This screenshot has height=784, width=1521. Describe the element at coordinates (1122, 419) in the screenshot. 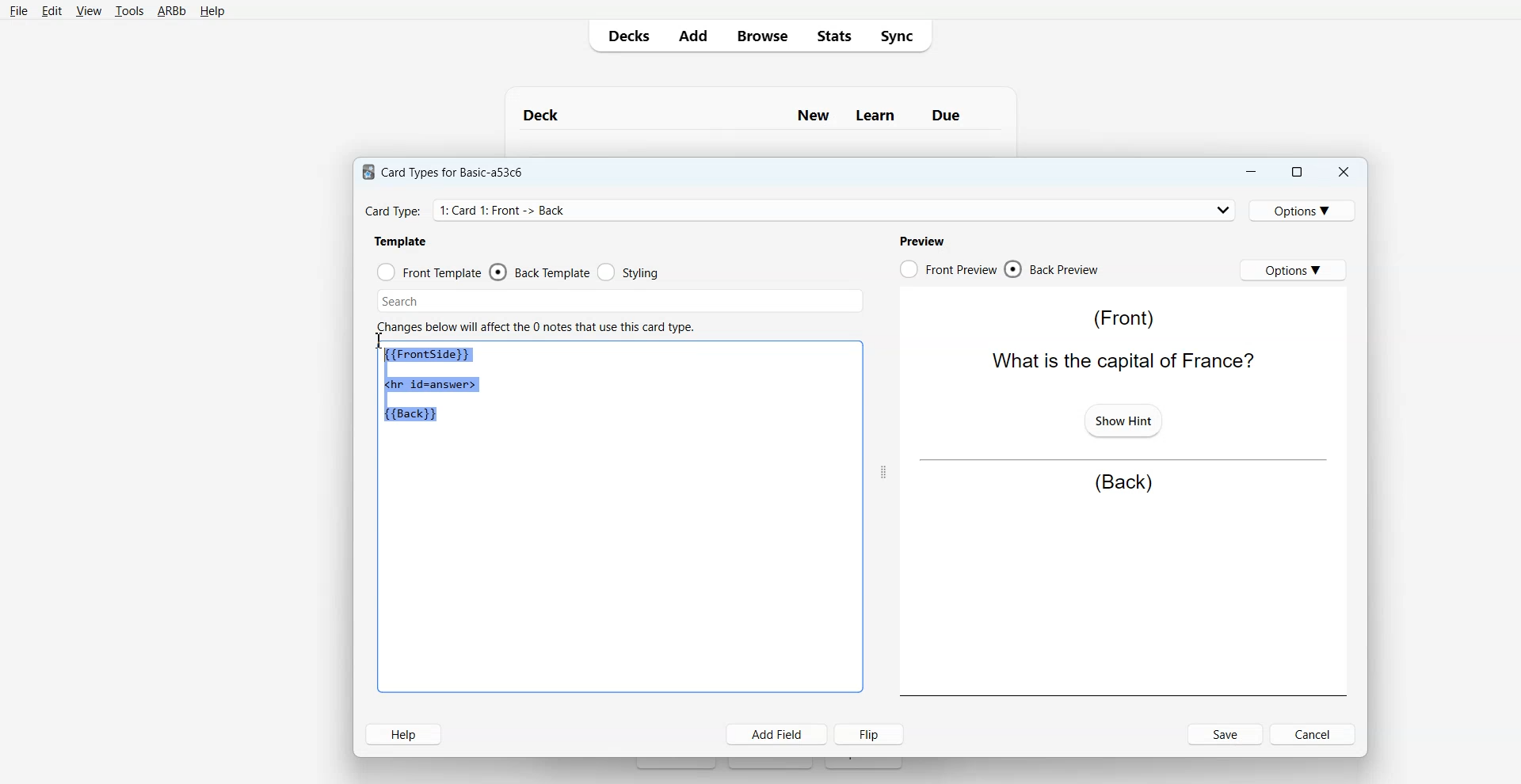

I see `Show Hint` at that location.